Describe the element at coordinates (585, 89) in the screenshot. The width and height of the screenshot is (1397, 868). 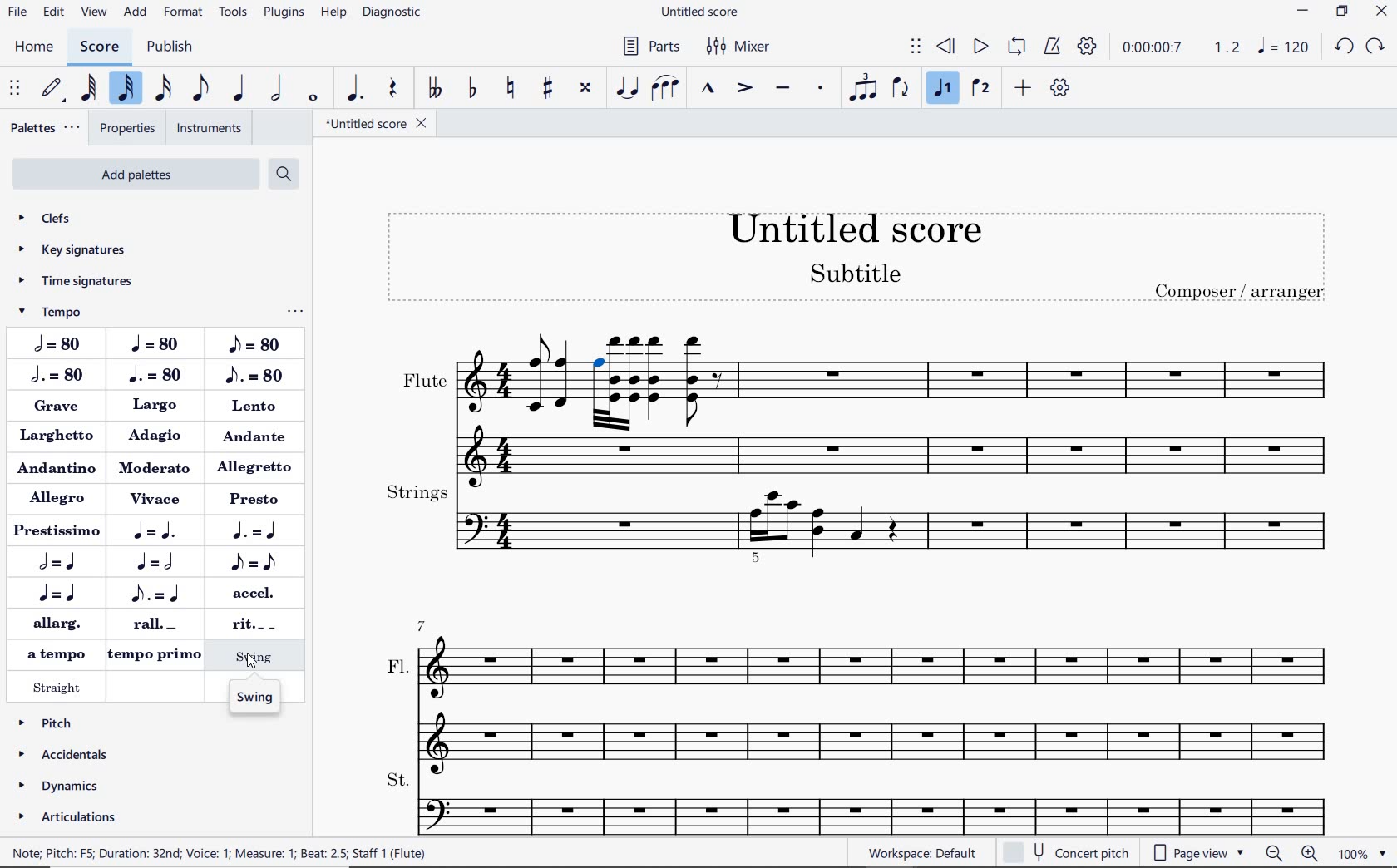
I see `TOGGLE DOUBLE-SHARP` at that location.